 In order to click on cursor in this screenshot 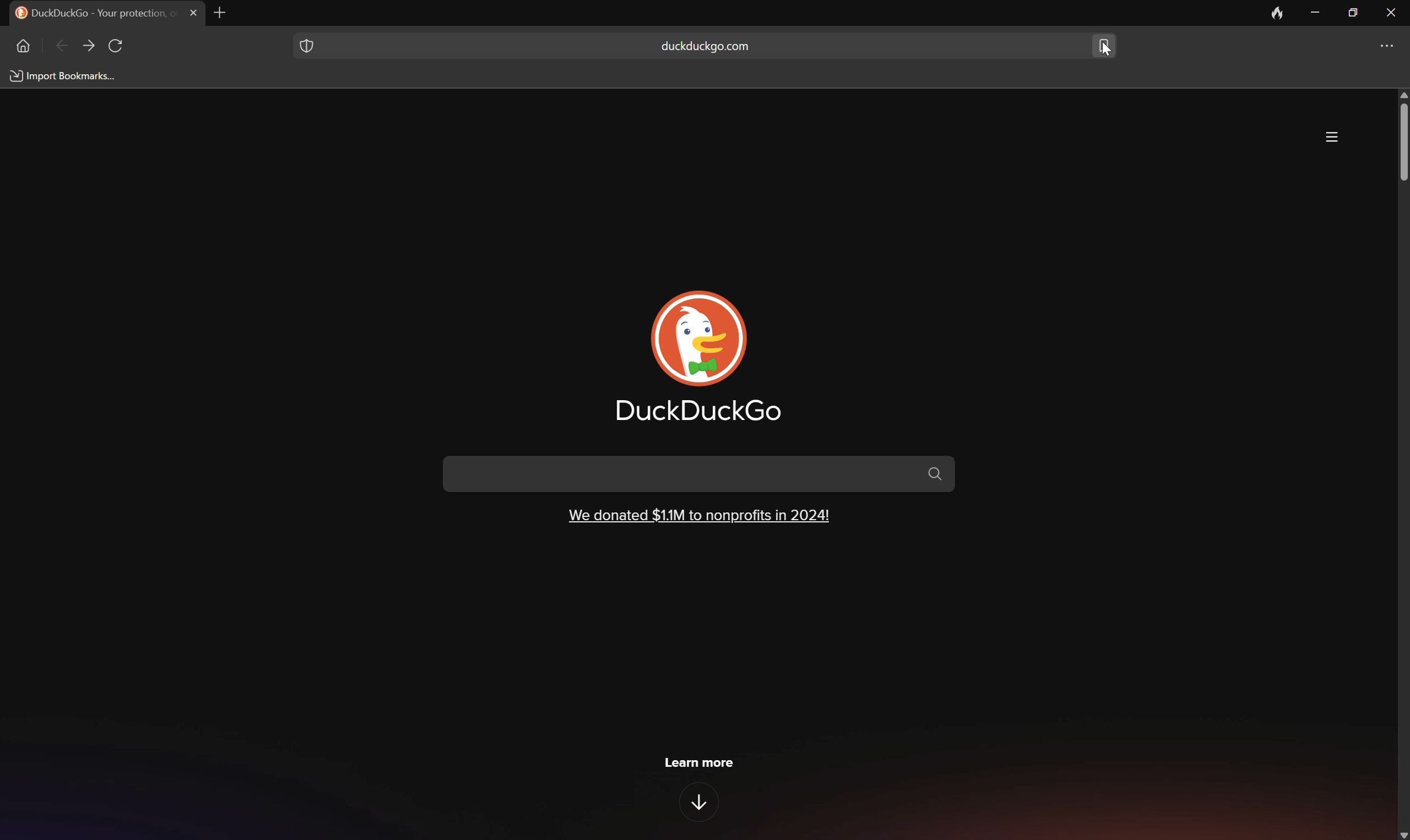, I will do `click(1103, 52)`.